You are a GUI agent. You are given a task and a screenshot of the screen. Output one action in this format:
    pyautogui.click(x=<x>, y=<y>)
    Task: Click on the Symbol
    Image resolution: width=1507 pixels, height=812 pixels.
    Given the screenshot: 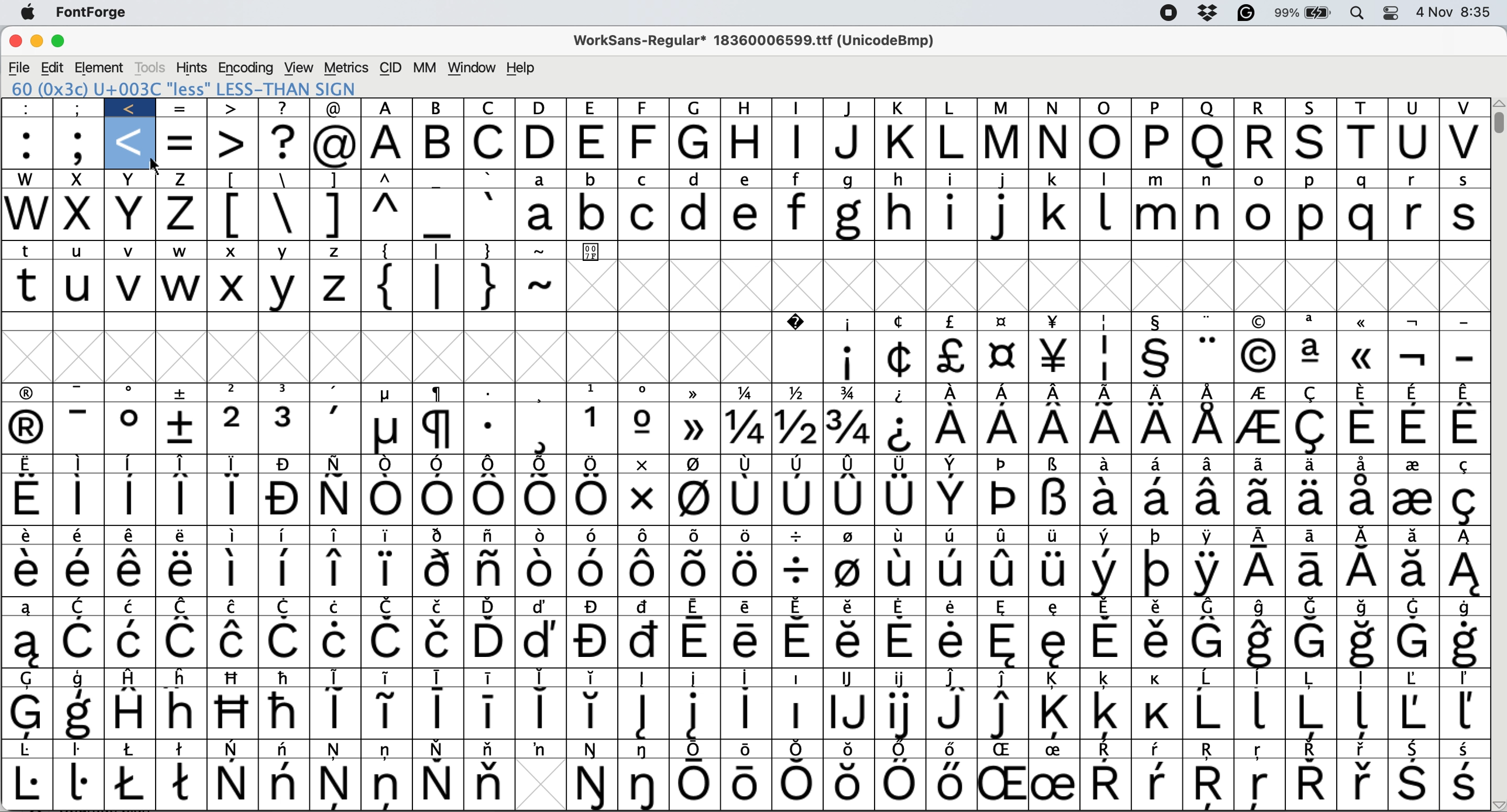 What is the action you would take?
    pyautogui.click(x=1054, y=465)
    